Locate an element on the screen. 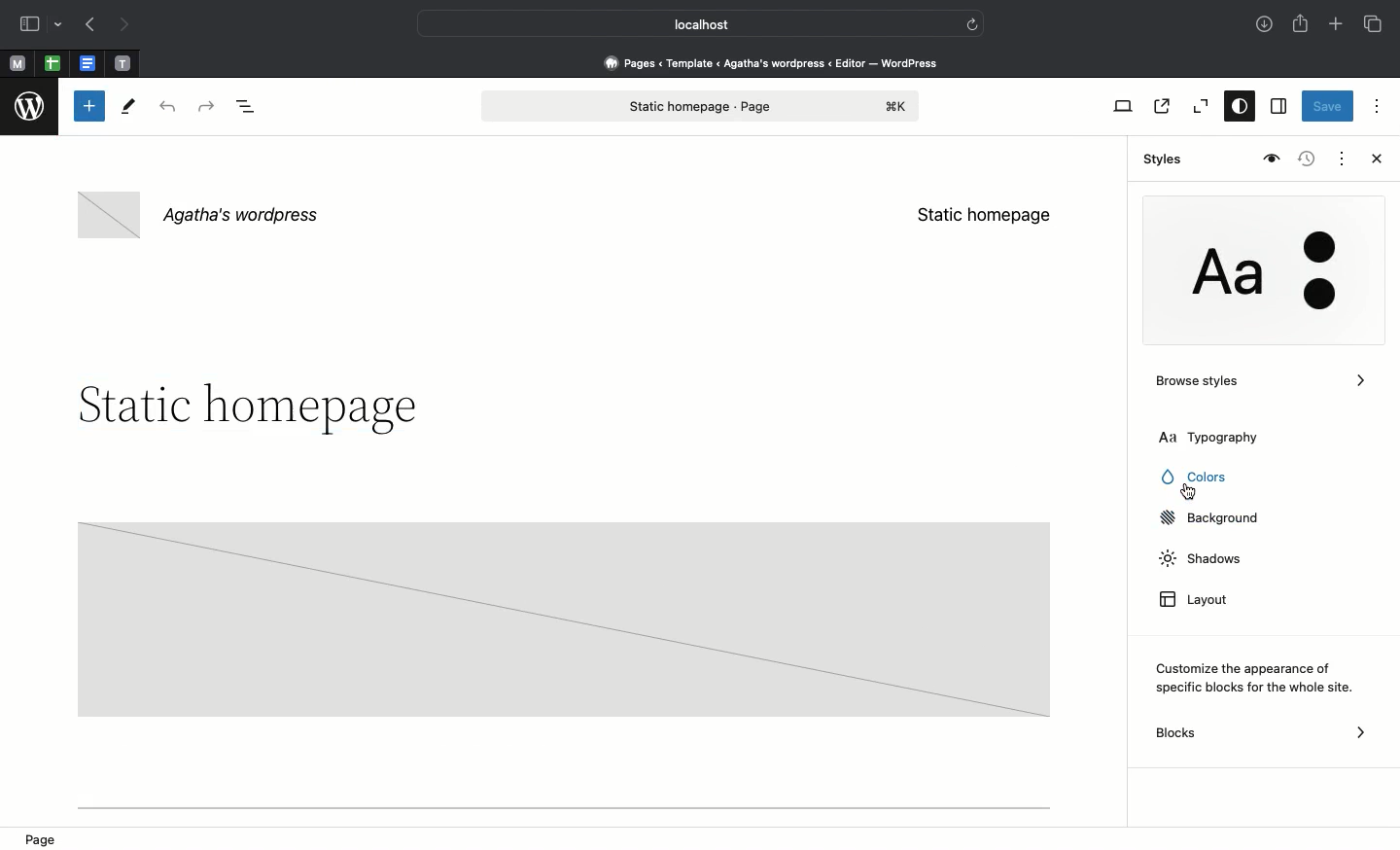 This screenshot has width=1400, height=850. Share is located at coordinates (1302, 23).